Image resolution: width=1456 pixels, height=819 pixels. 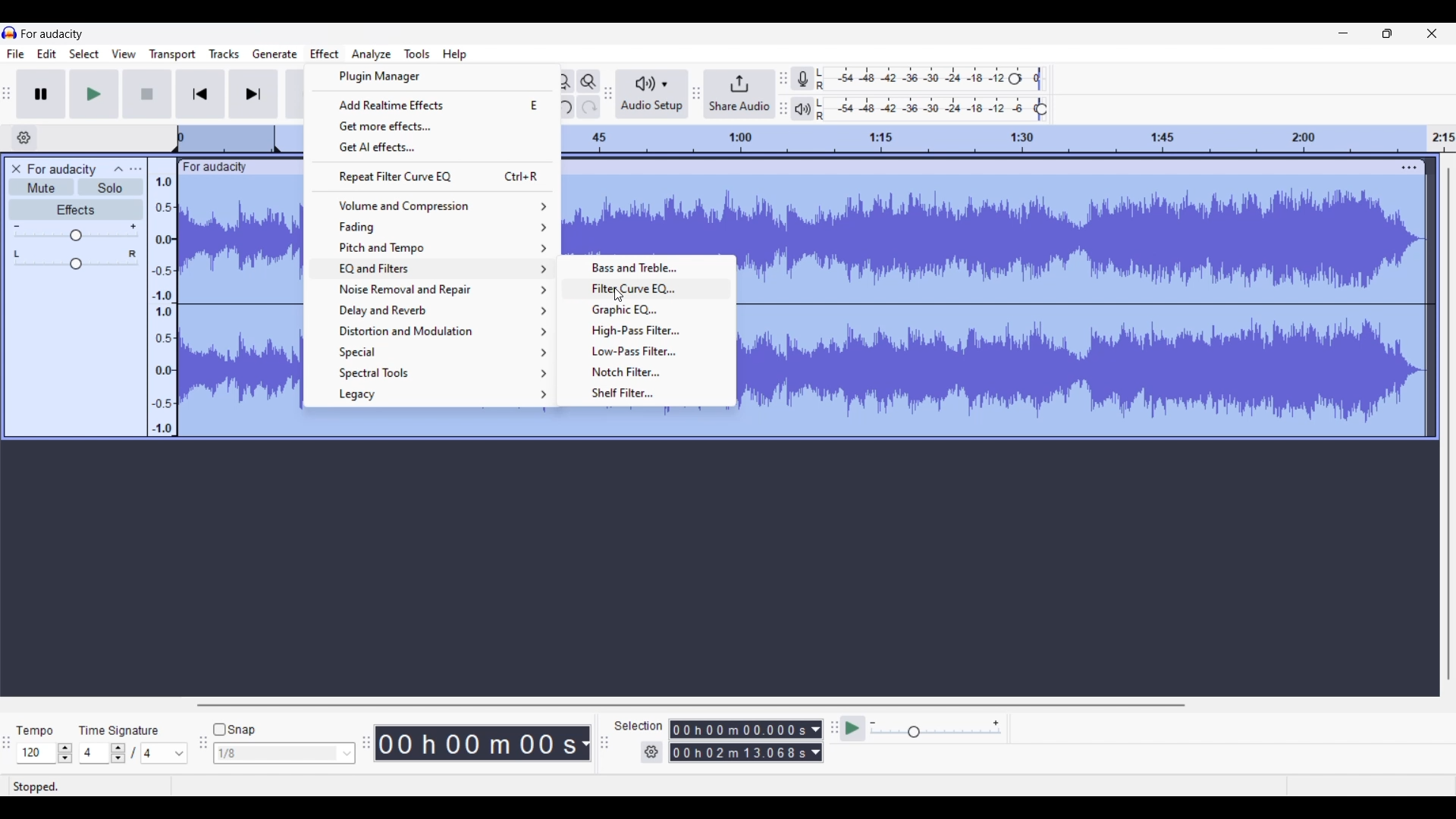 What do you see at coordinates (803, 78) in the screenshot?
I see `Record meter` at bounding box center [803, 78].